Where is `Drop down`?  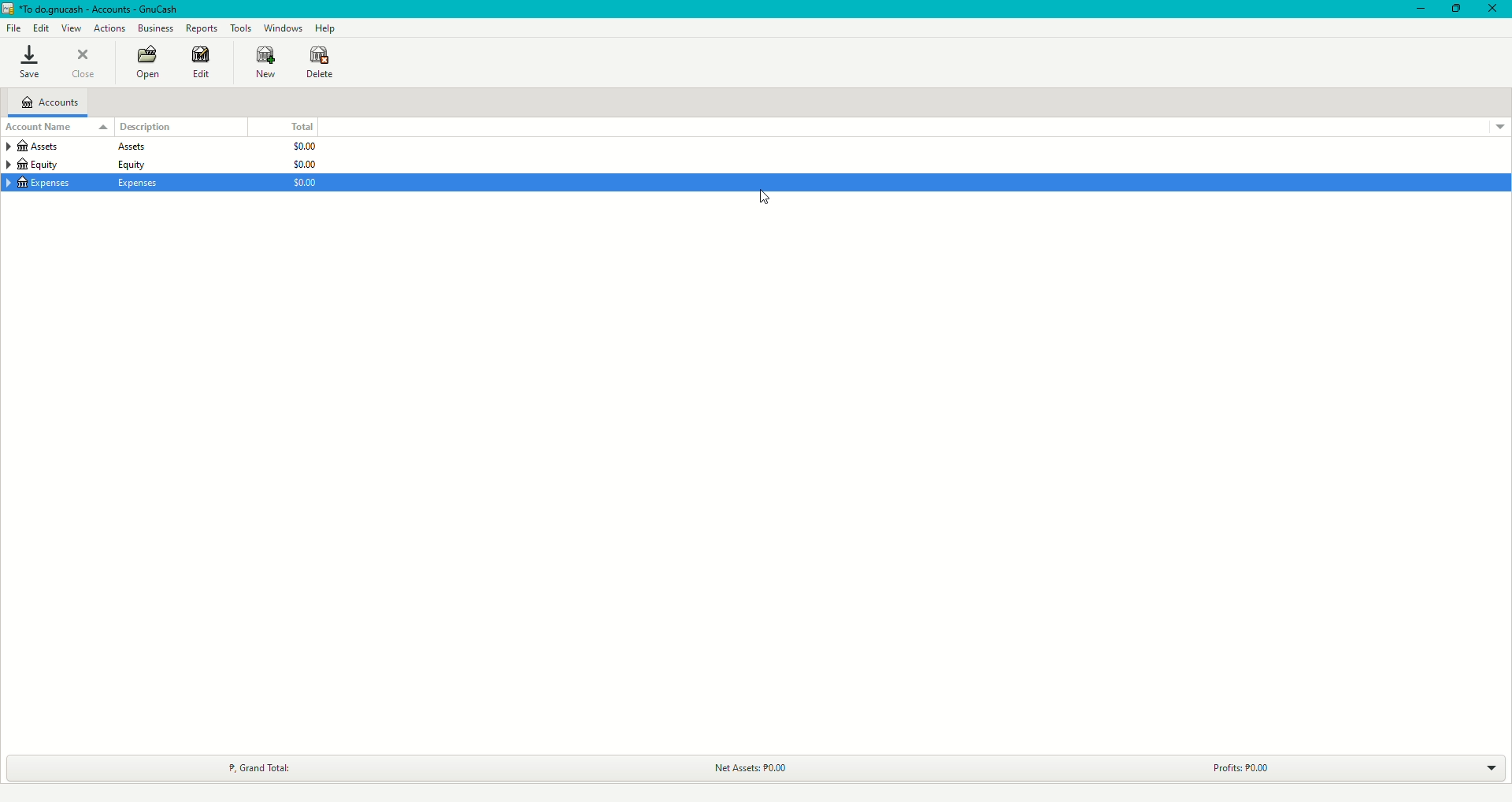 Drop down is located at coordinates (1501, 128).